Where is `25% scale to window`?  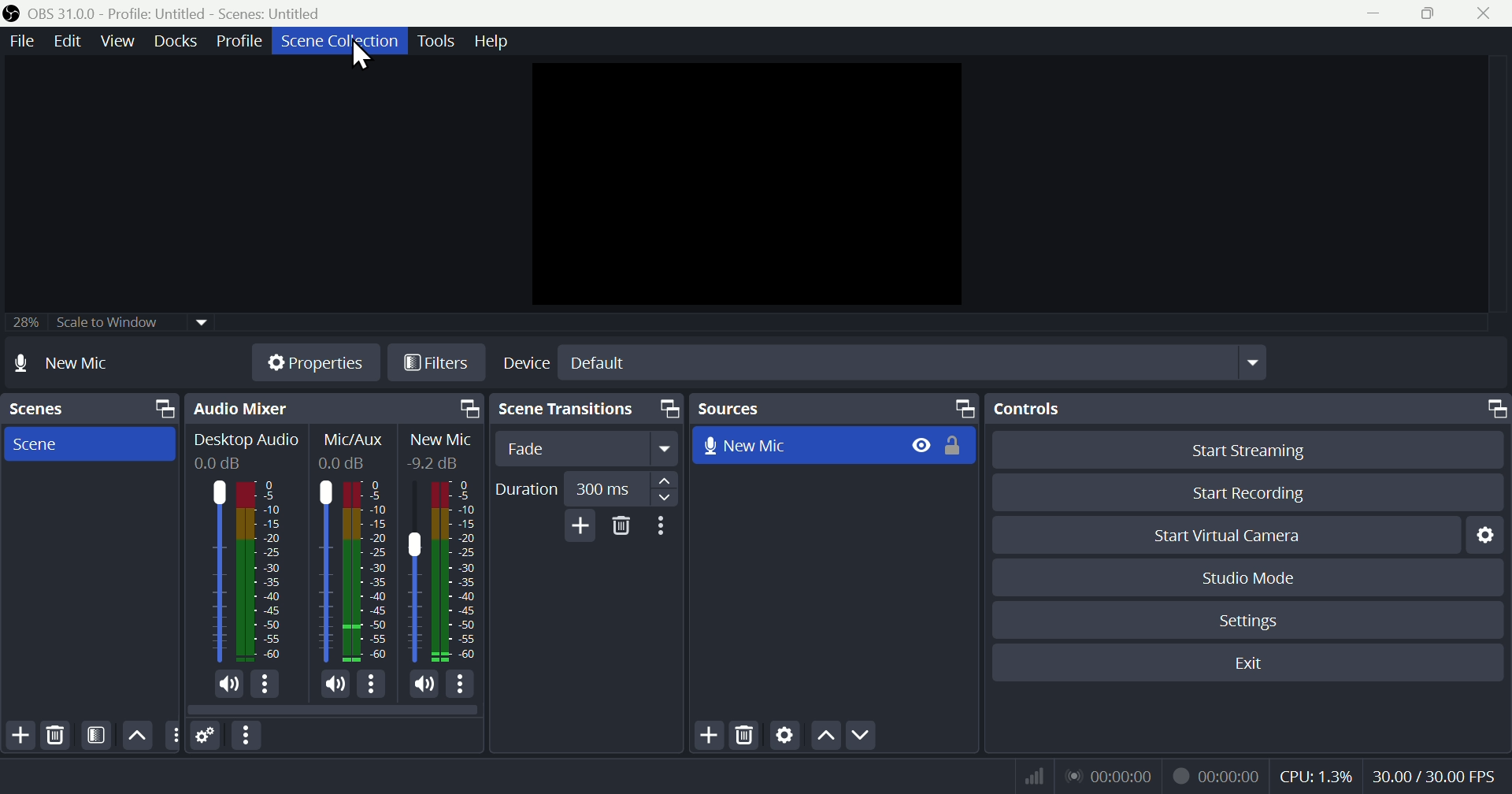 25% scale to window is located at coordinates (104, 325).